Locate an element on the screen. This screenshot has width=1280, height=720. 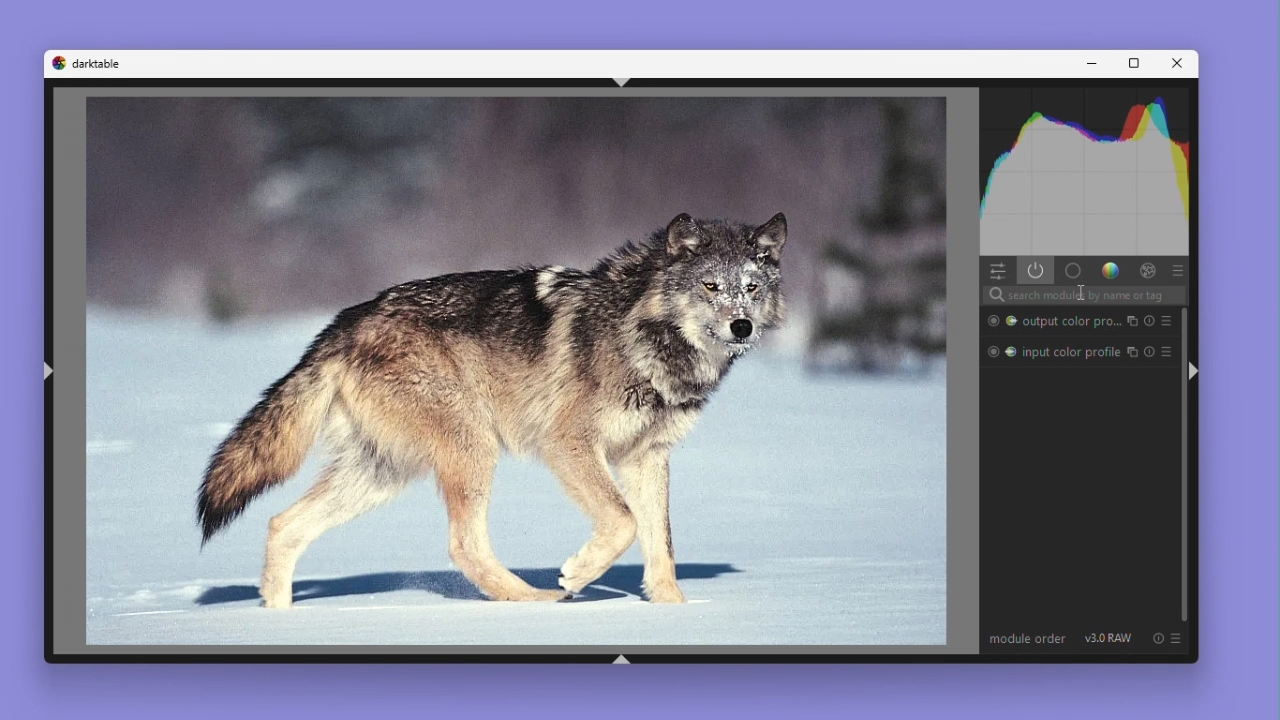
Radial Mask is located at coordinates (991, 321).